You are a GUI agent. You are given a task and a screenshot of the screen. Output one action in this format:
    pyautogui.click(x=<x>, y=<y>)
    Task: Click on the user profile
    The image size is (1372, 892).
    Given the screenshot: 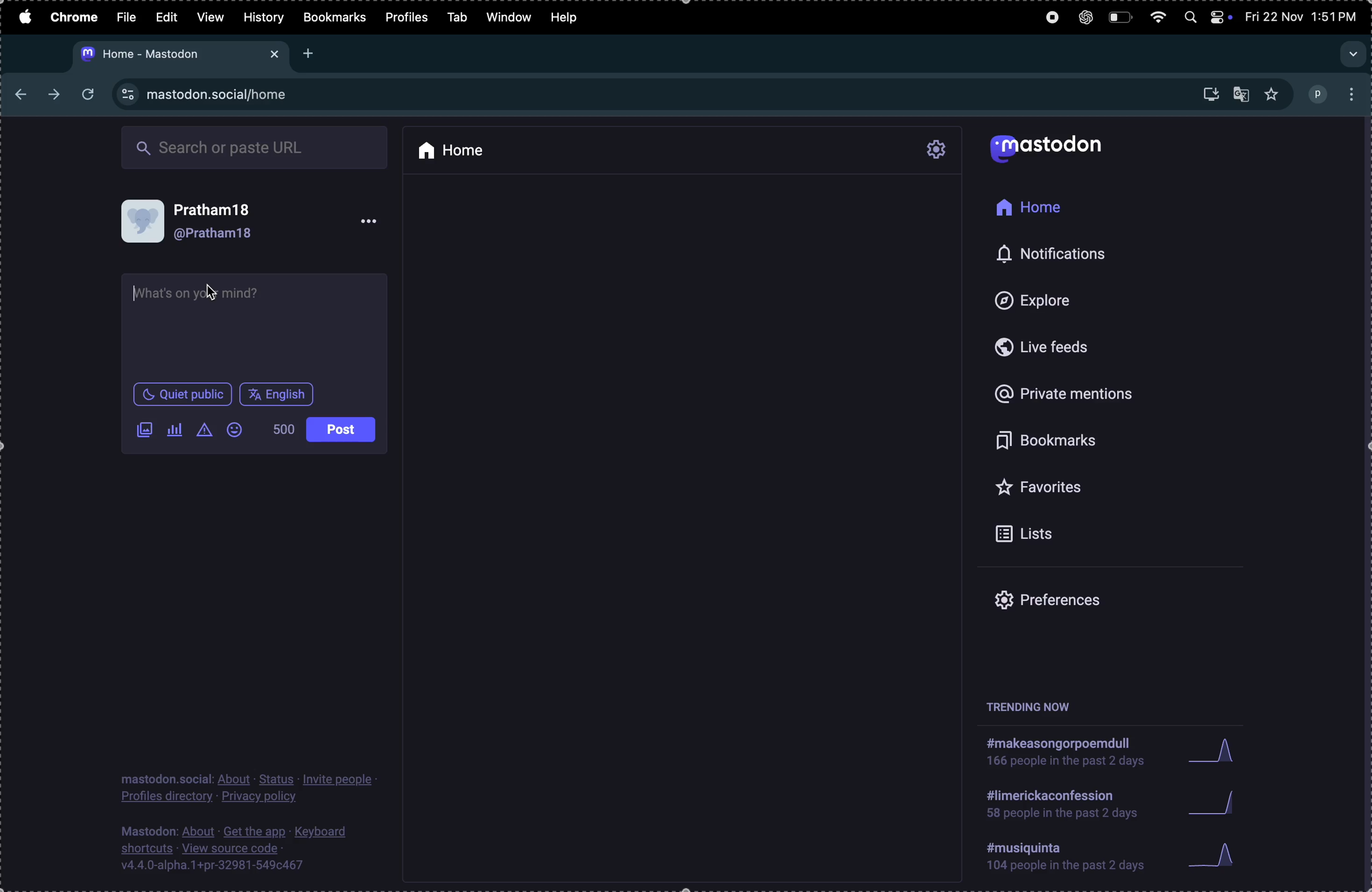 What is the action you would take?
    pyautogui.click(x=252, y=221)
    